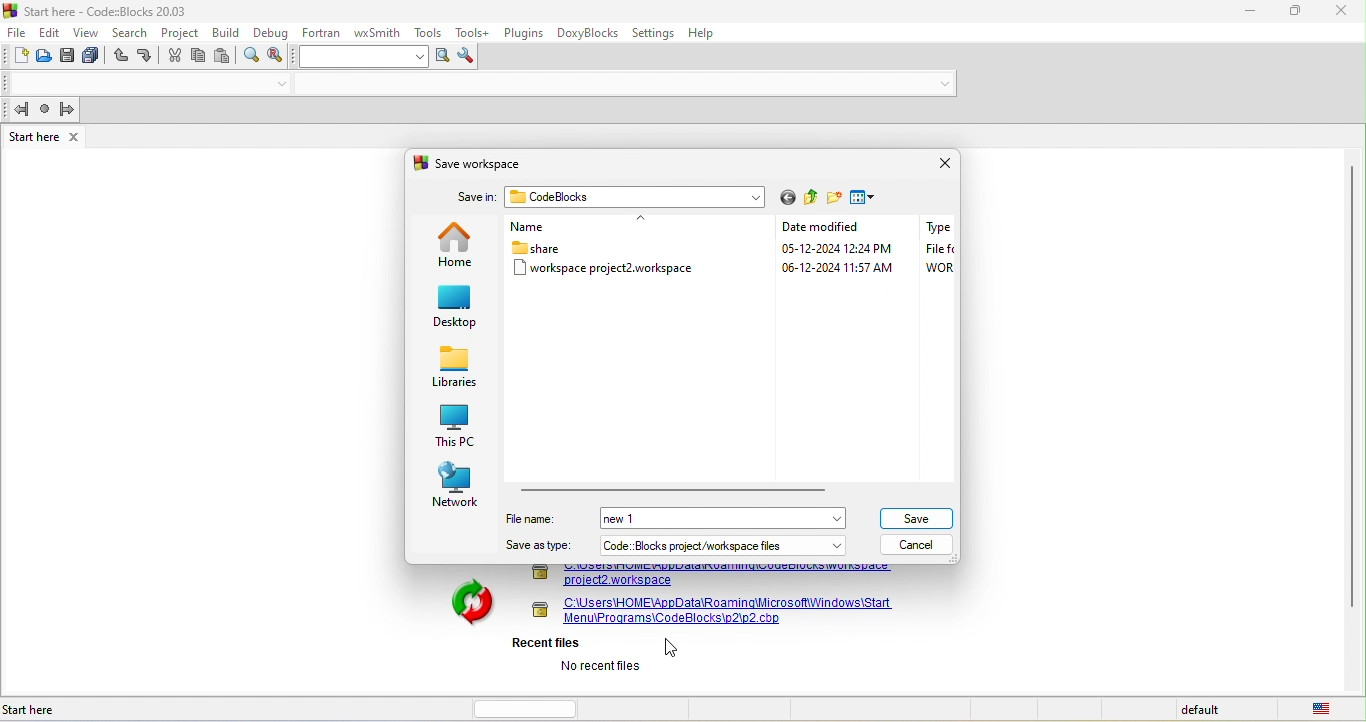  Describe the element at coordinates (453, 425) in the screenshot. I see `this pc` at that location.